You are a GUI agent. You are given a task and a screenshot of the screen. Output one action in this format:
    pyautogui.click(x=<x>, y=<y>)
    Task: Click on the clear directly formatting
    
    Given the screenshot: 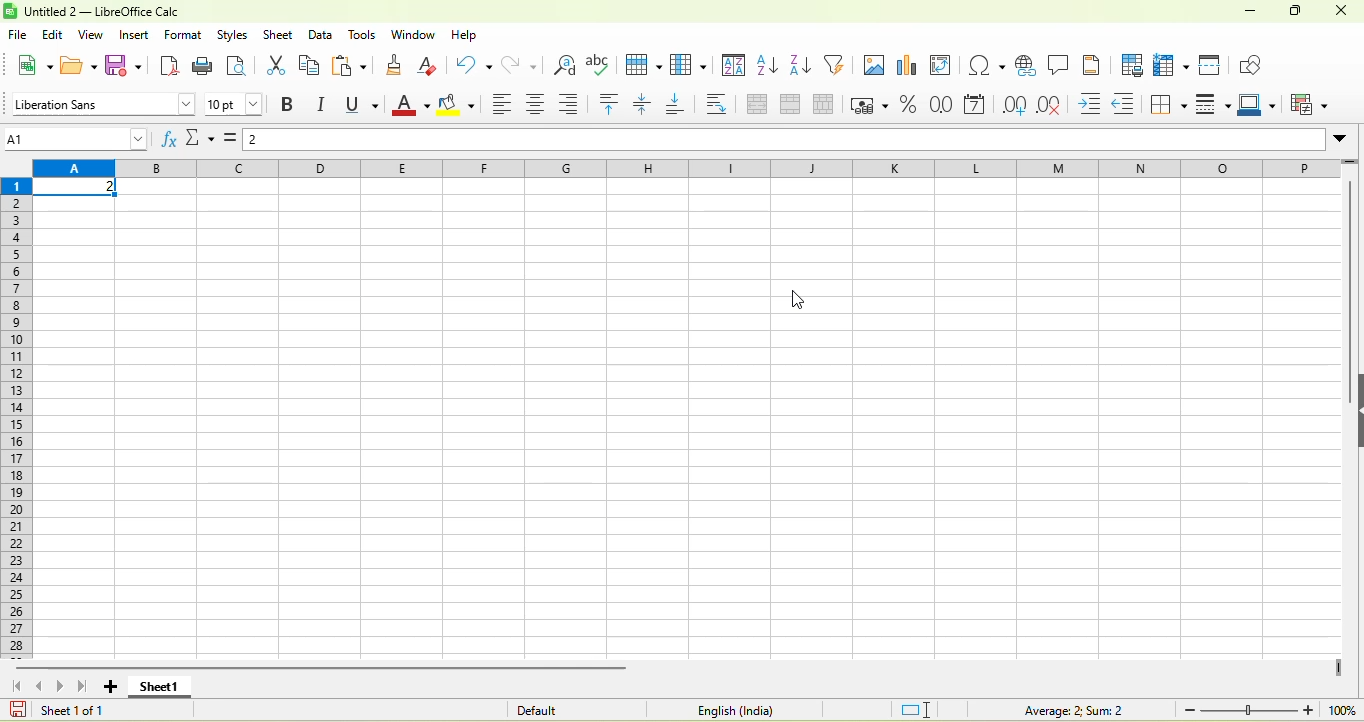 What is the action you would take?
    pyautogui.click(x=437, y=65)
    